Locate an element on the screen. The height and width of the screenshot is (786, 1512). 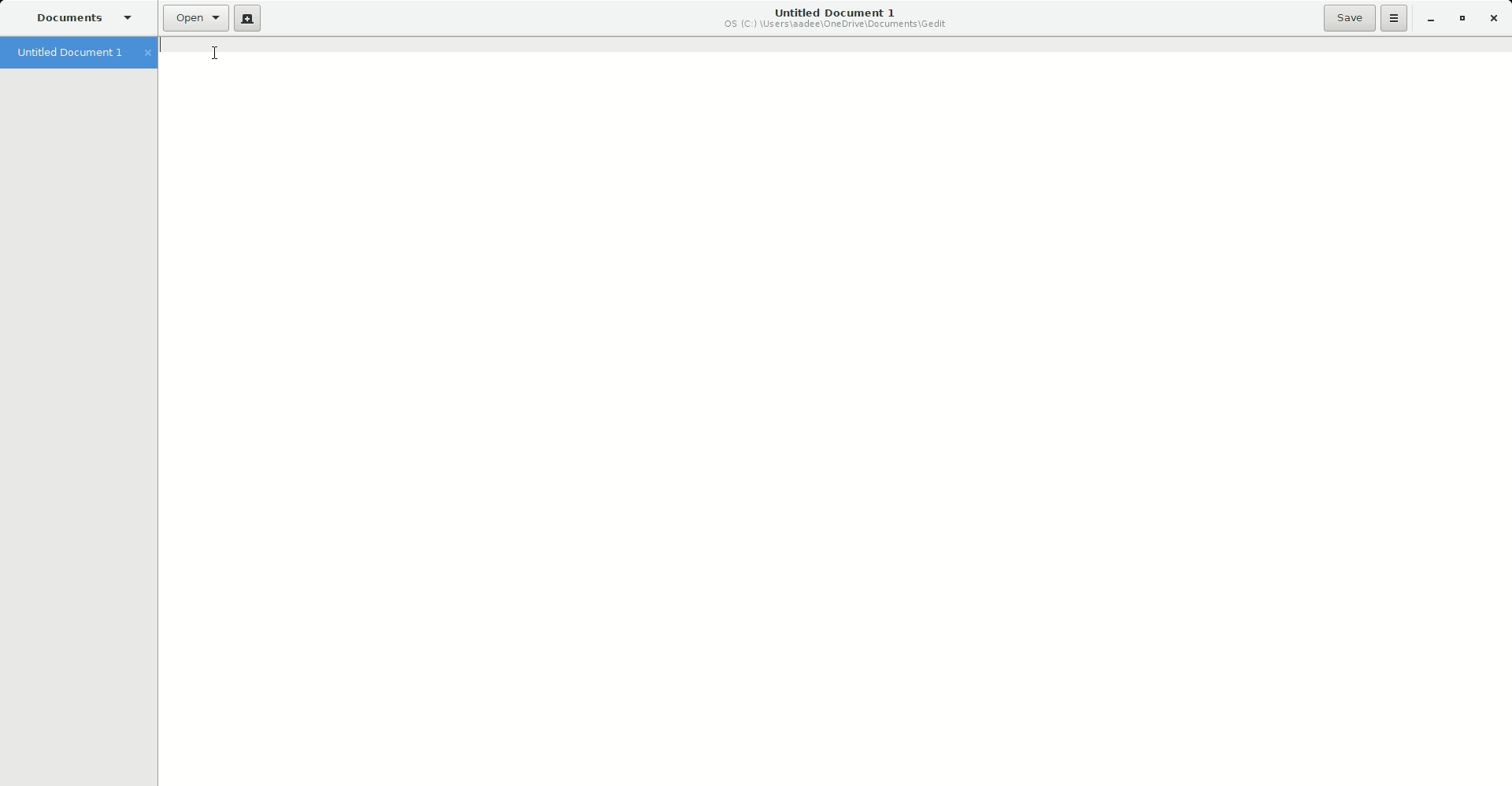
Options is located at coordinates (1395, 18).